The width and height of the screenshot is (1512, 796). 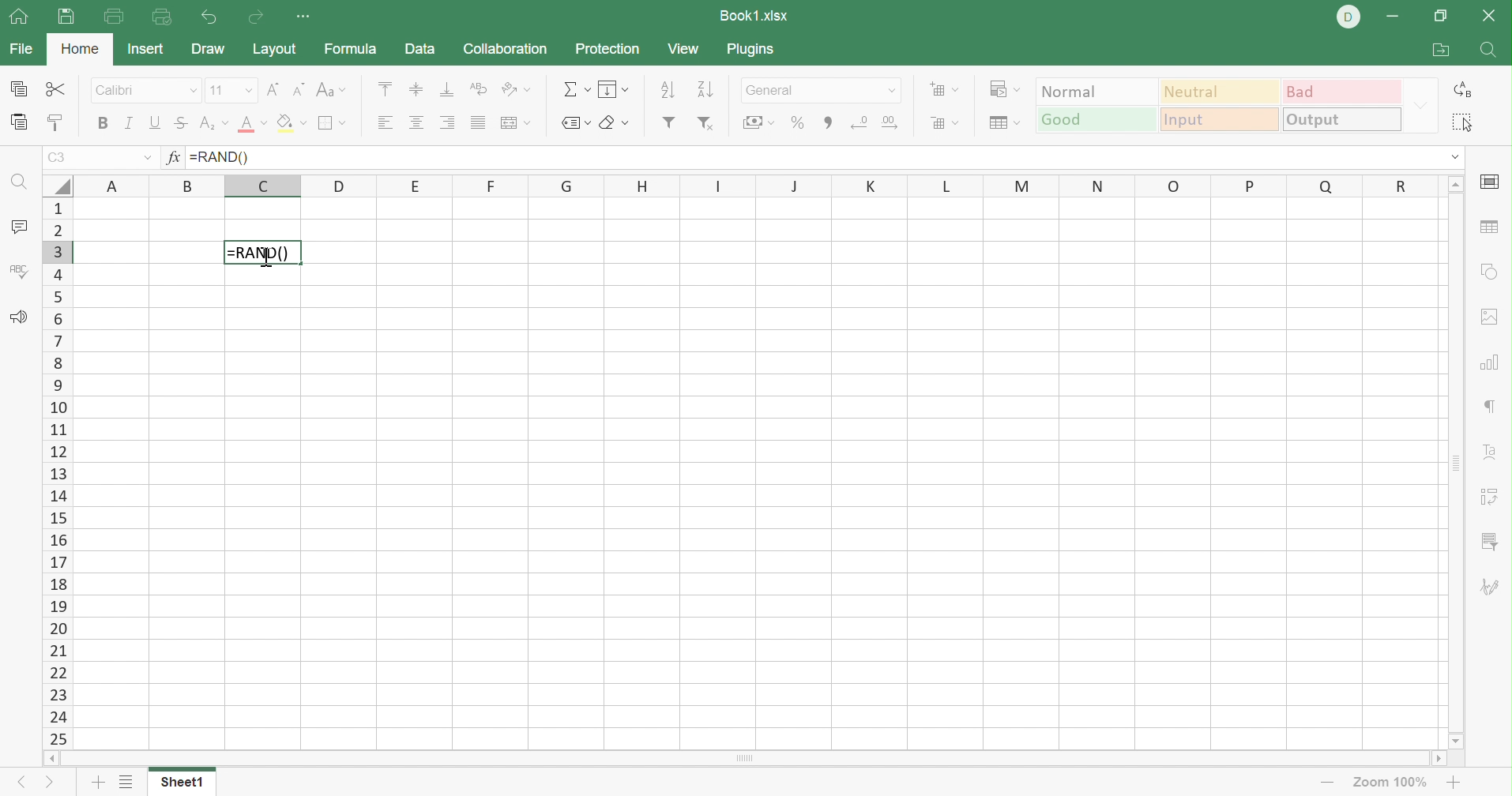 I want to click on Fill color, so click(x=290, y=123).